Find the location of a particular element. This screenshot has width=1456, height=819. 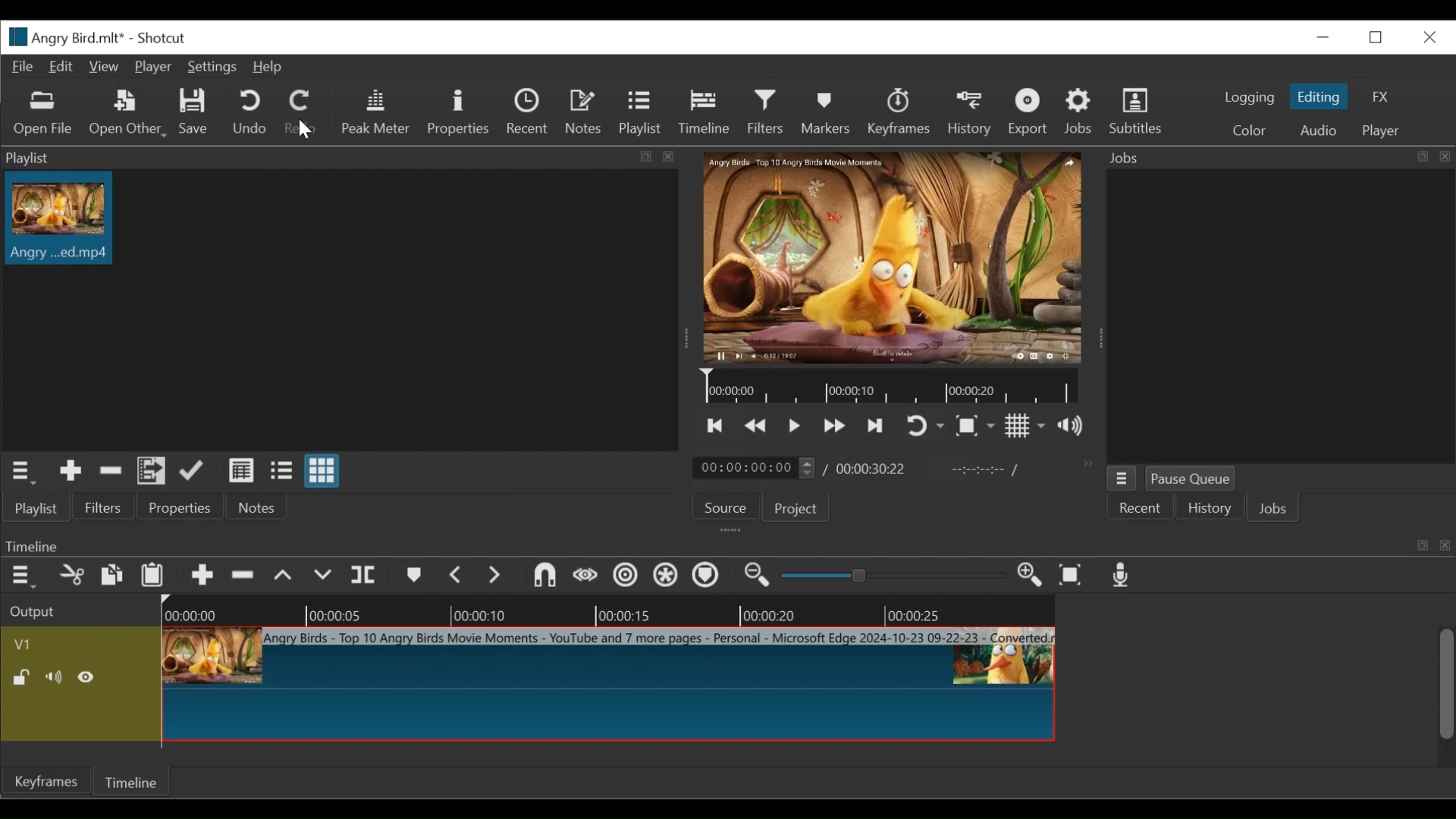

Media Viewer is located at coordinates (893, 259).